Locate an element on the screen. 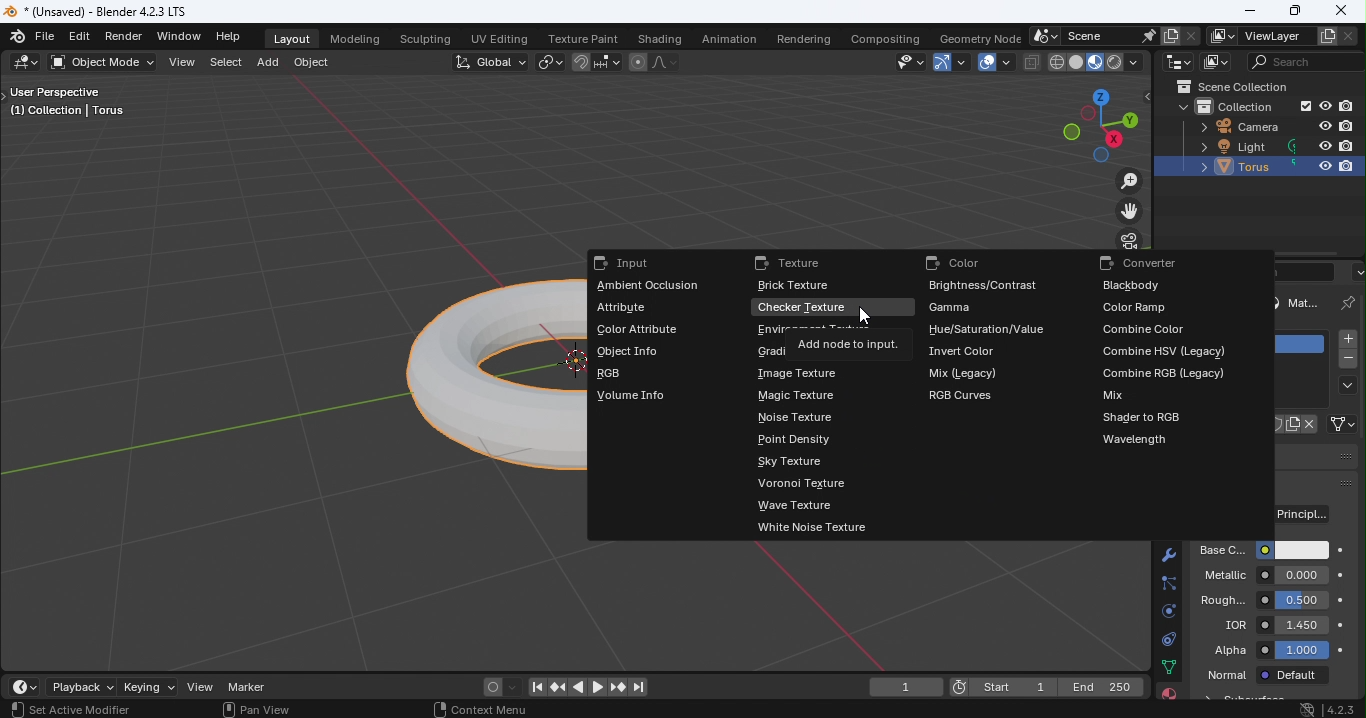  Animate property is located at coordinates (1341, 547).